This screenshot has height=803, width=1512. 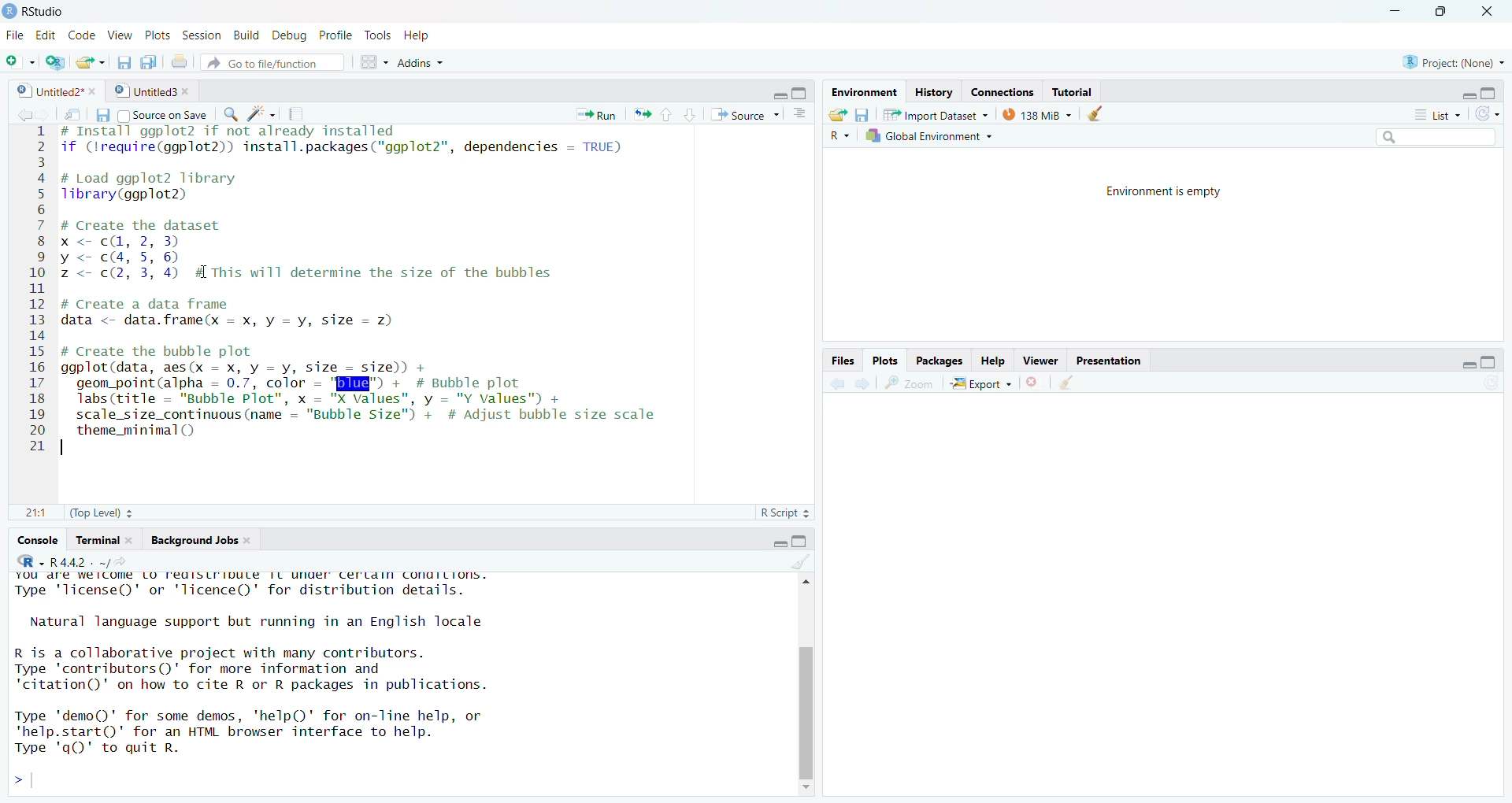 I want to click on show documents lines, so click(x=802, y=111).